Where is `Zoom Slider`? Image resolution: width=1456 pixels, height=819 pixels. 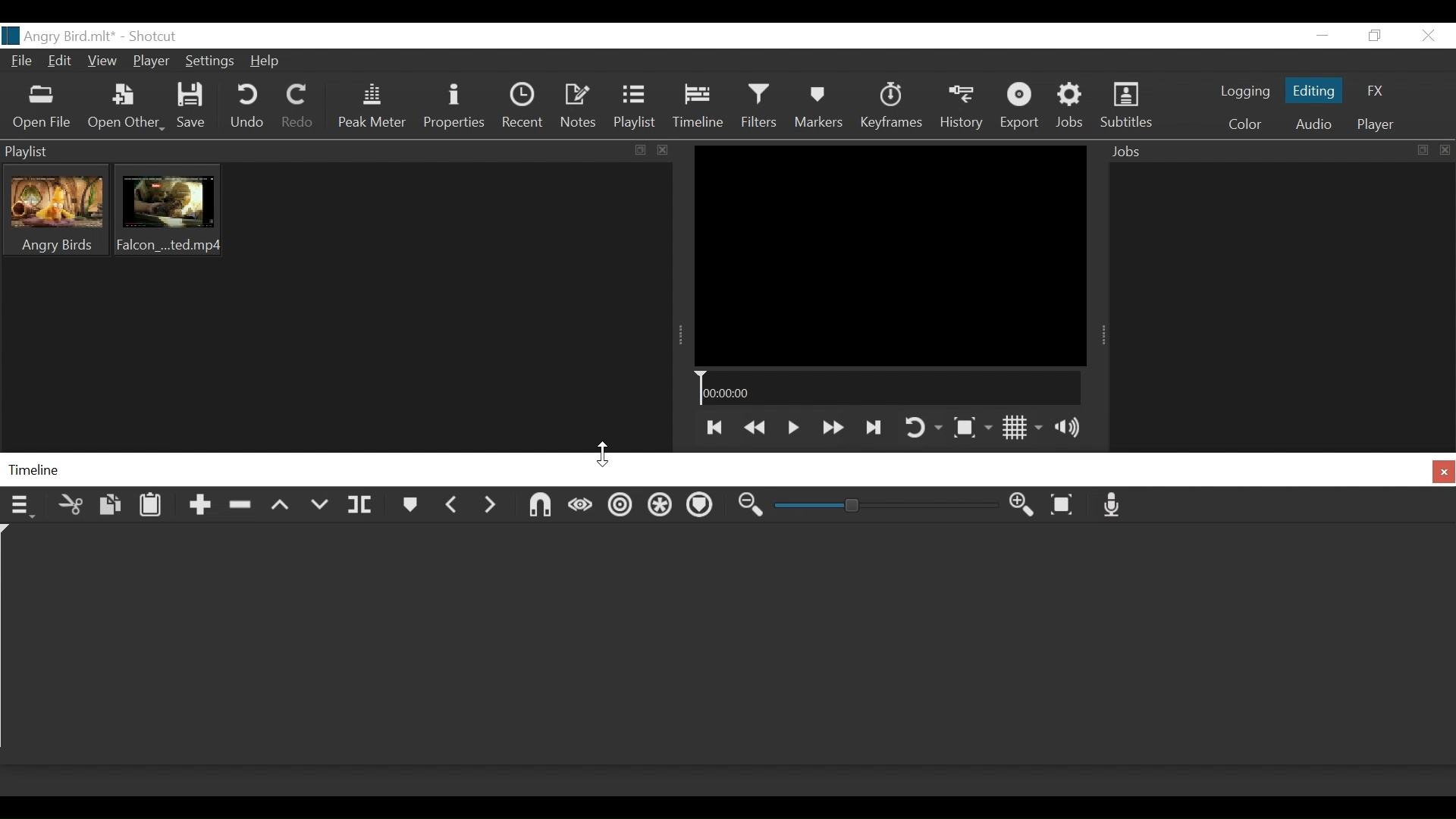 Zoom Slider is located at coordinates (888, 509).